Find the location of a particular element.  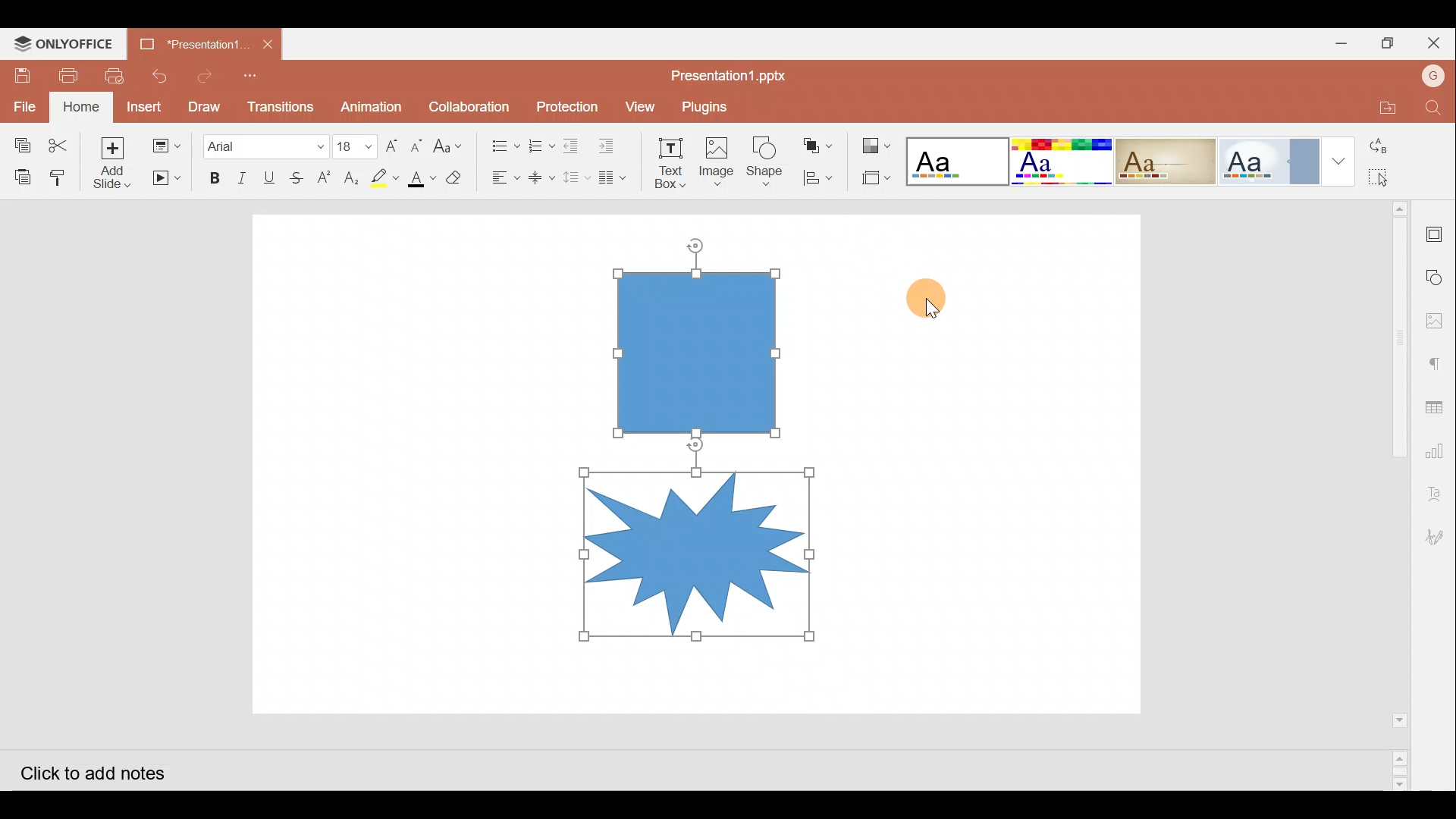

Align shape is located at coordinates (818, 177).